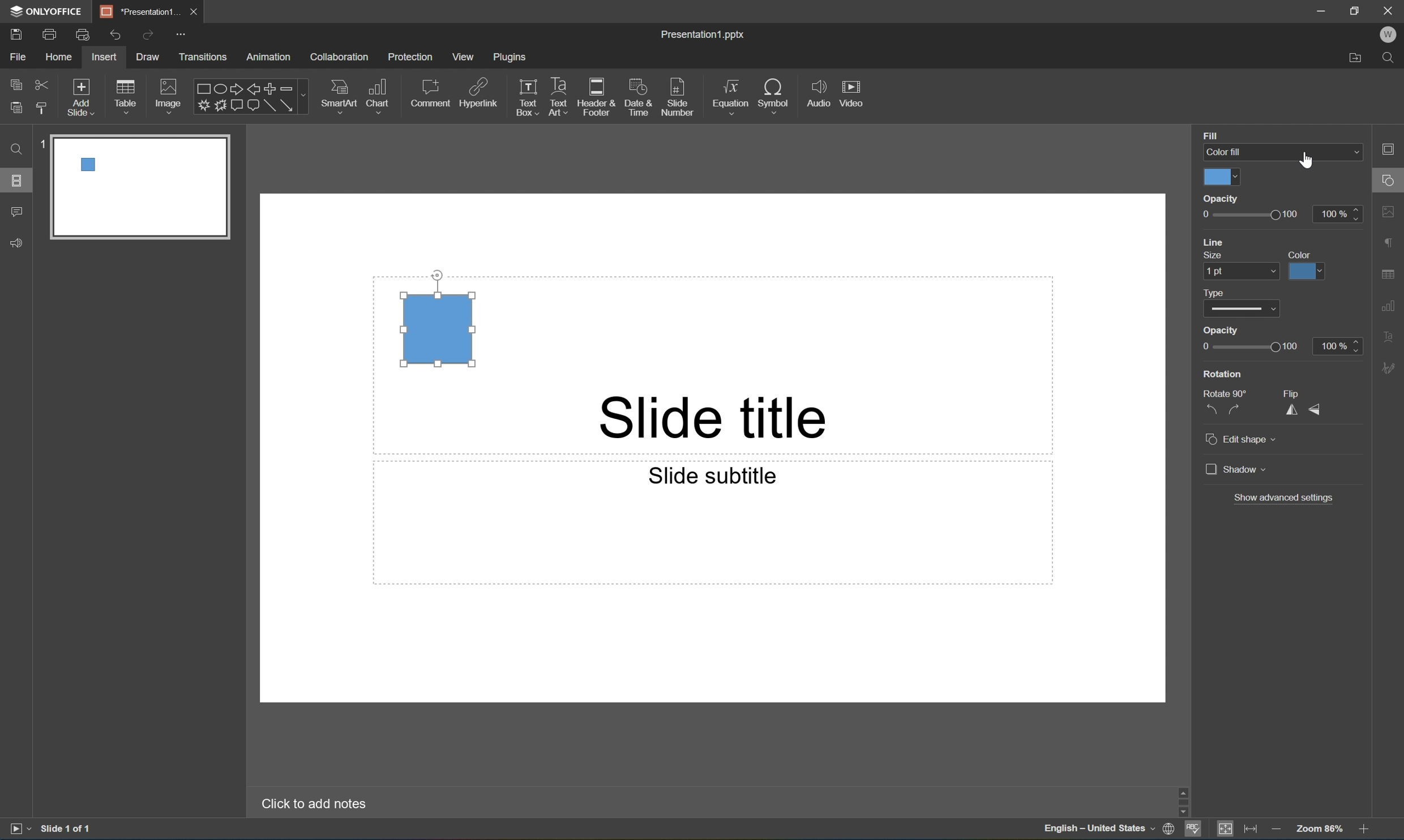 This screenshot has height=840, width=1404. I want to click on Edit shape, so click(1242, 440).